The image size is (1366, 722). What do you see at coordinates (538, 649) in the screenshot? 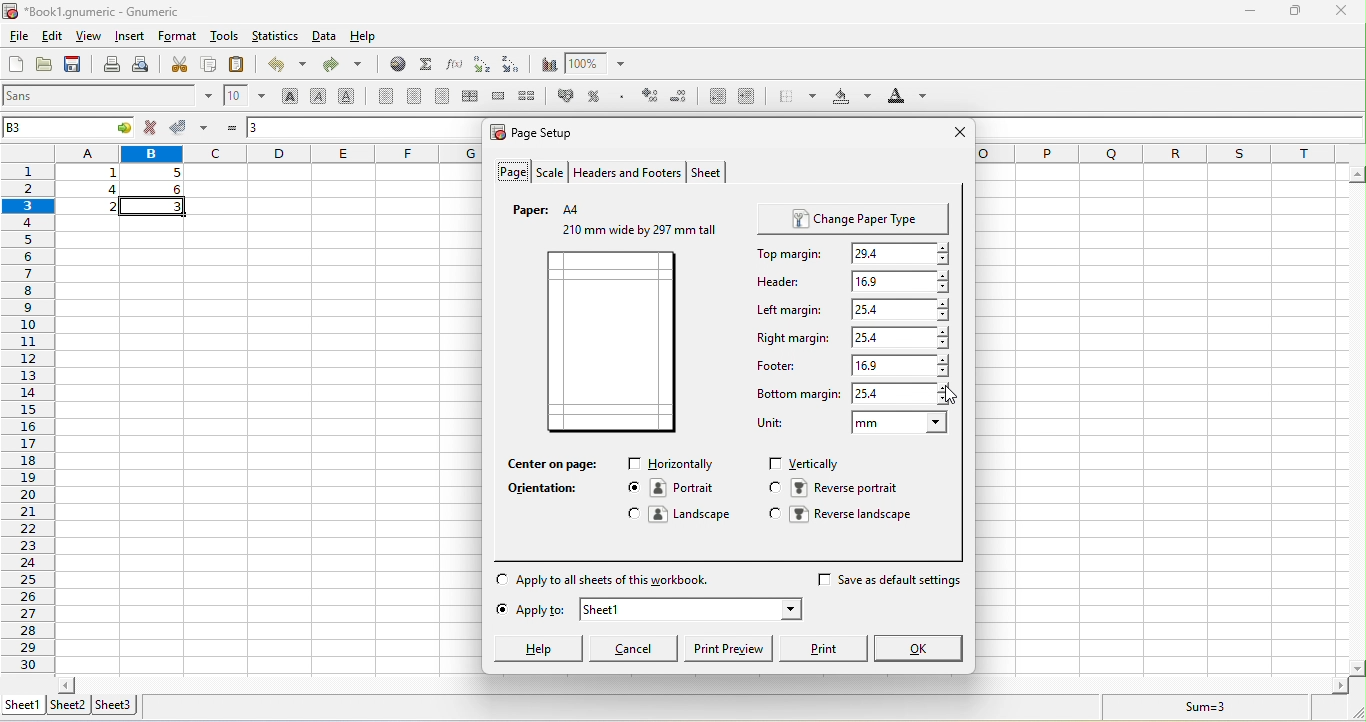
I see `help` at bounding box center [538, 649].